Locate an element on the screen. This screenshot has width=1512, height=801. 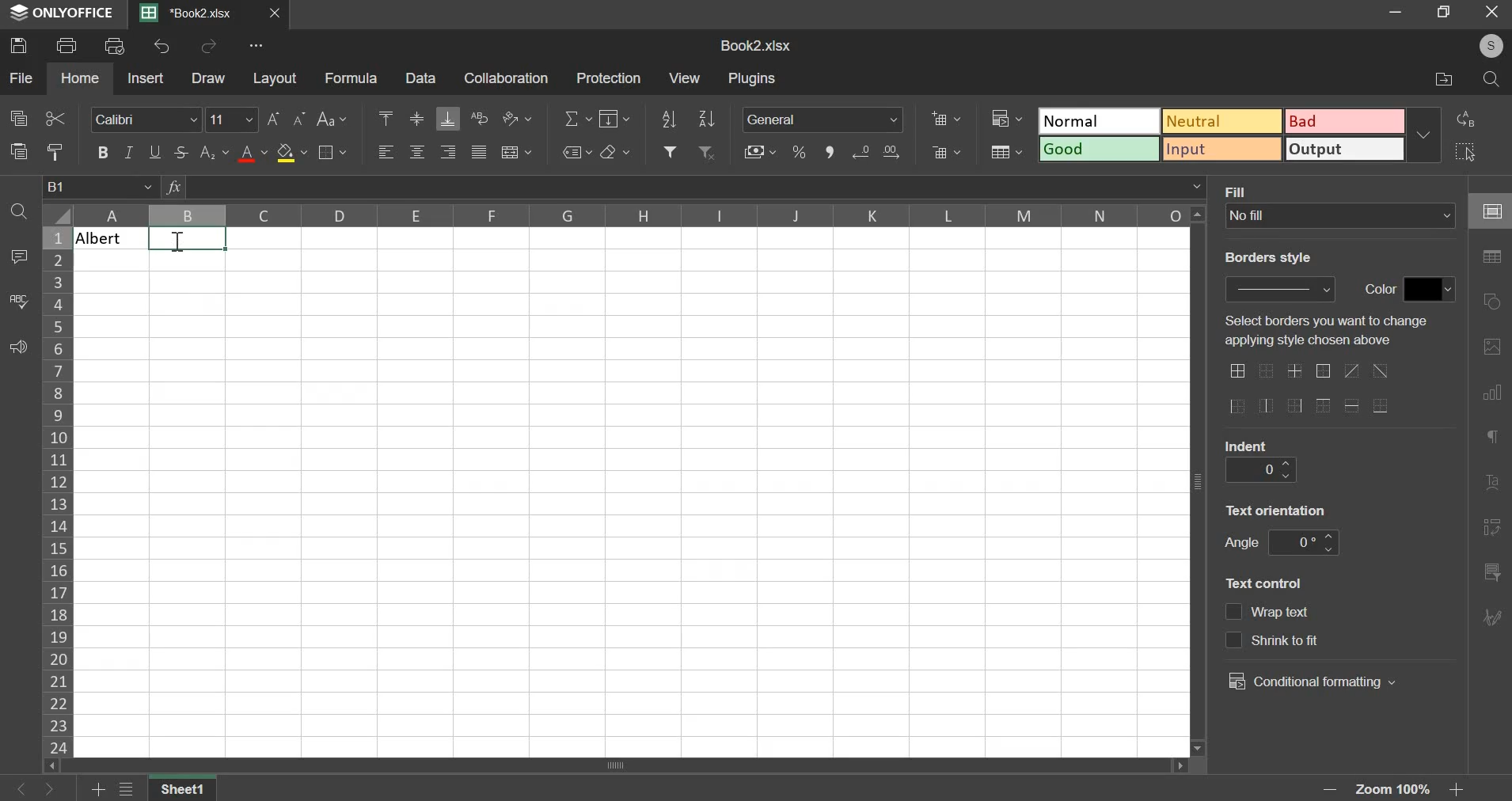
color is located at coordinates (1432, 289).